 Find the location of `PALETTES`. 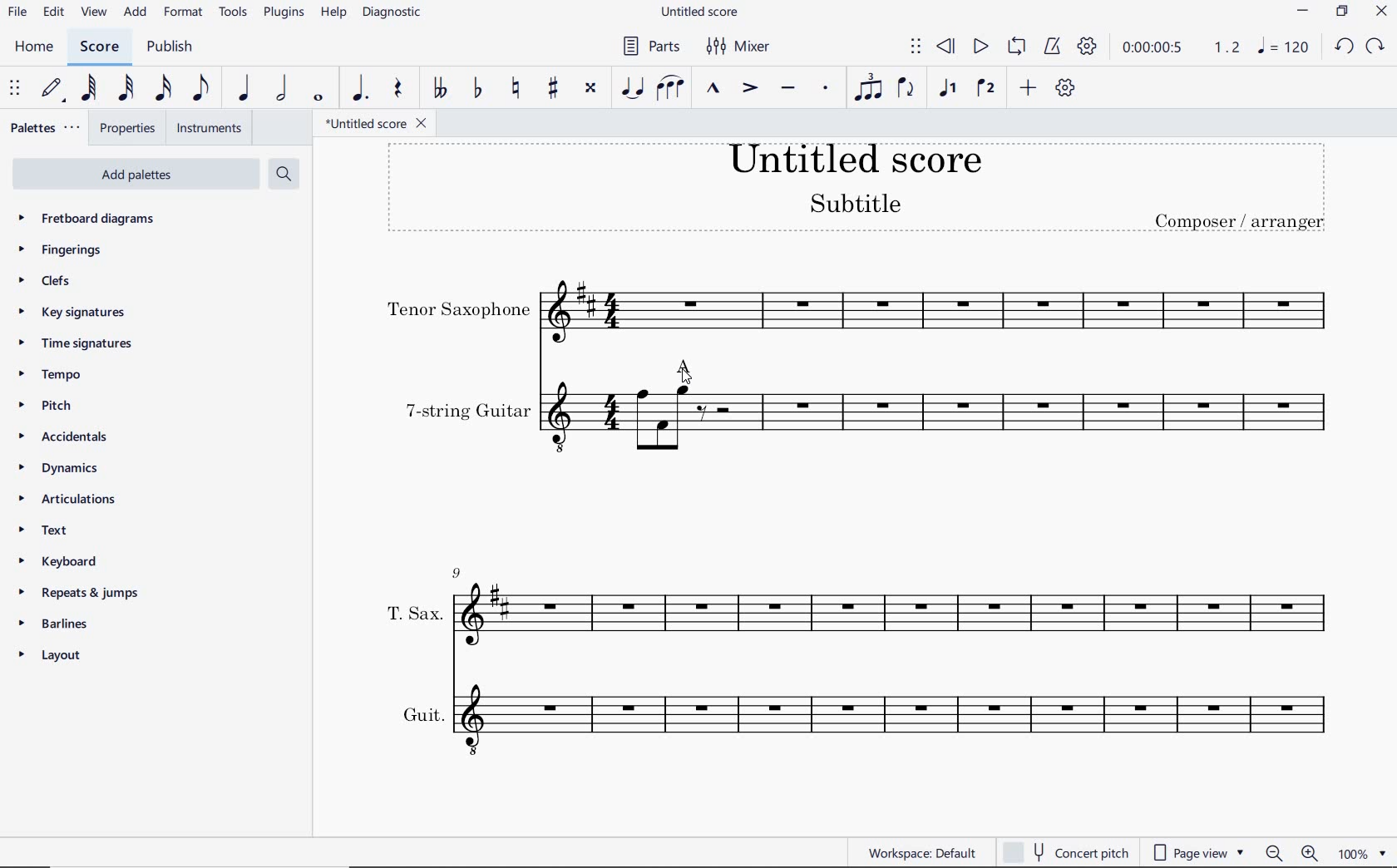

PALETTES is located at coordinates (44, 128).